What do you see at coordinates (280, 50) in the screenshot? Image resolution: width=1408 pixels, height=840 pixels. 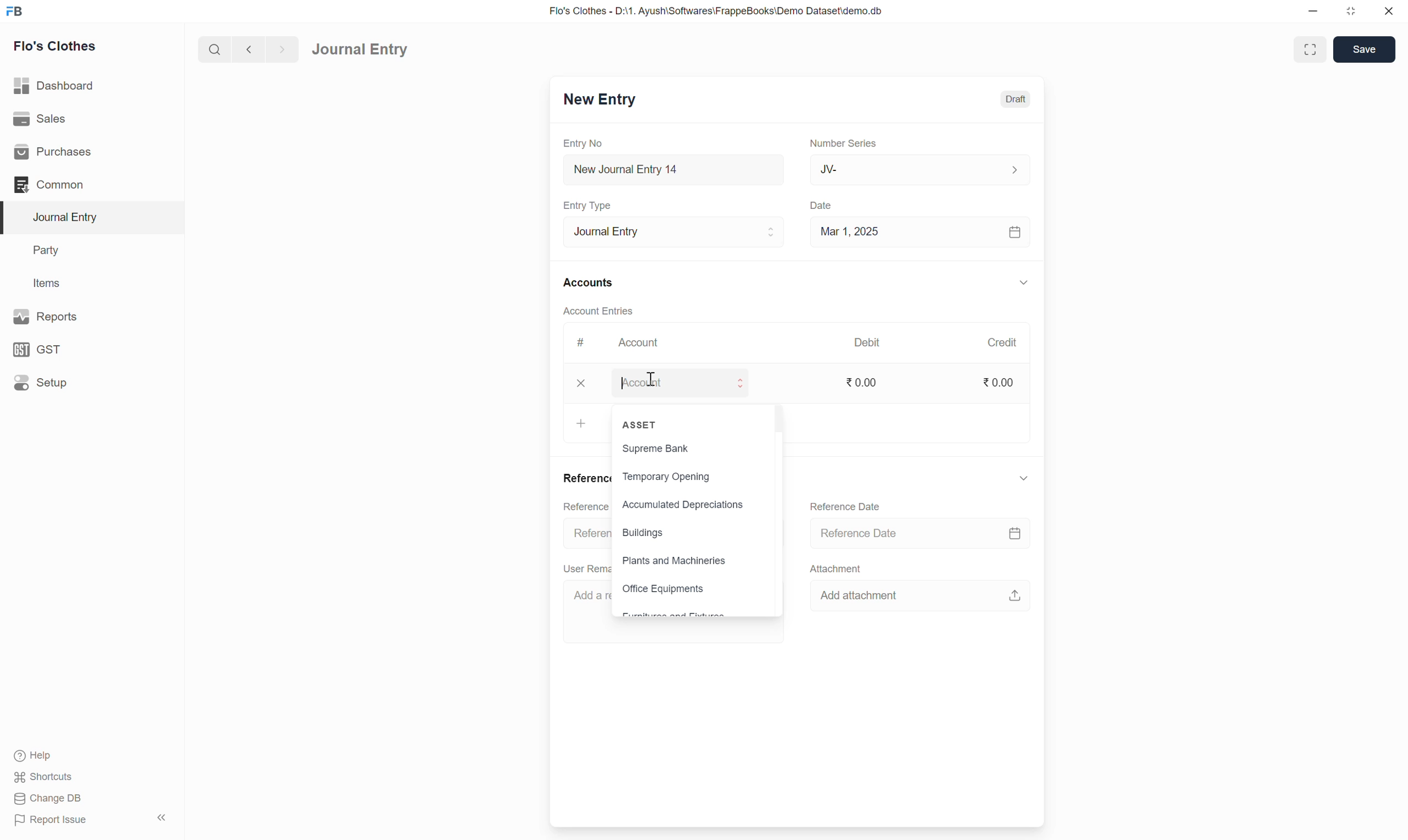 I see `forward` at bounding box center [280, 50].